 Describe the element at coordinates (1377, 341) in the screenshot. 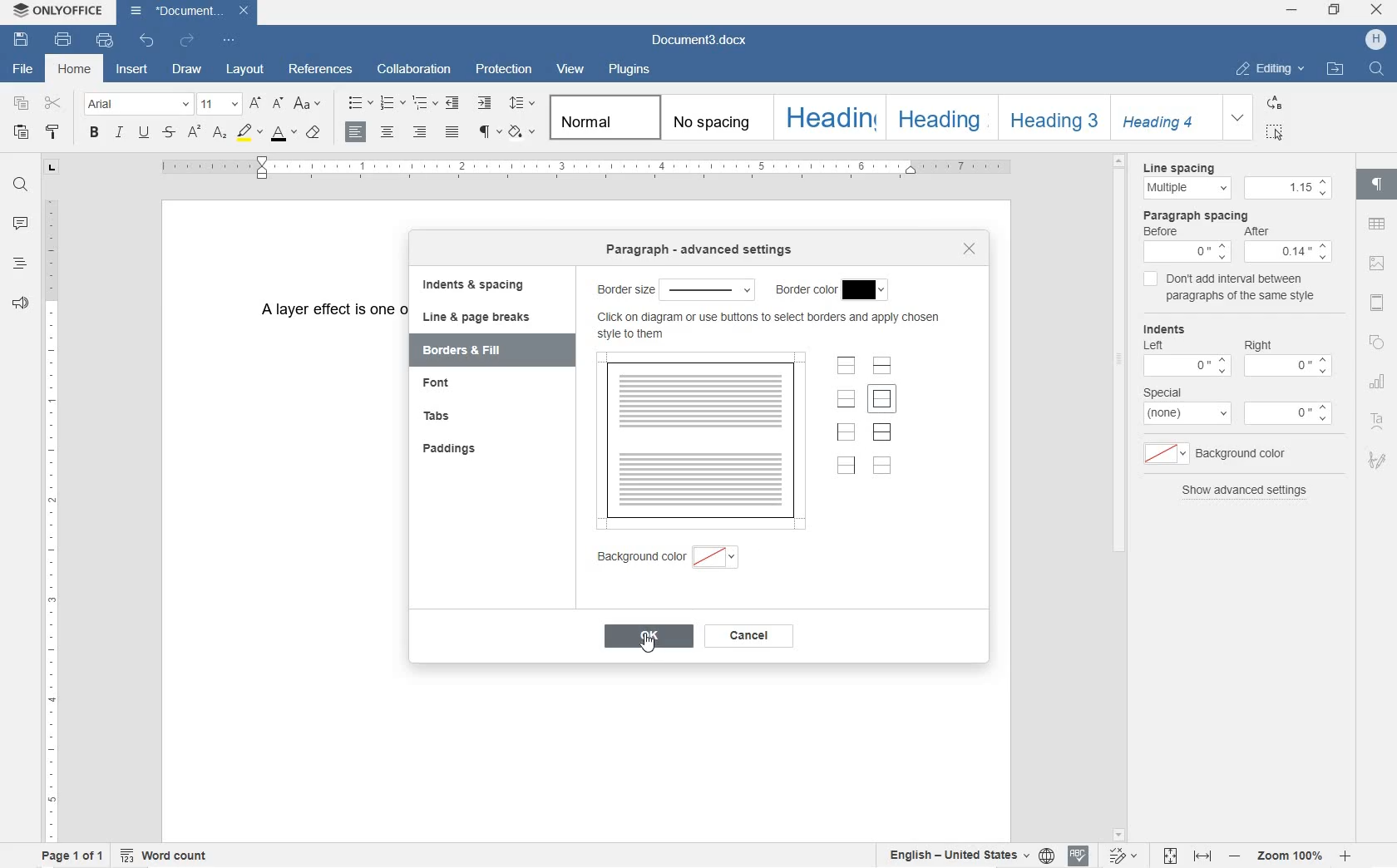

I see `SHAPE` at that location.